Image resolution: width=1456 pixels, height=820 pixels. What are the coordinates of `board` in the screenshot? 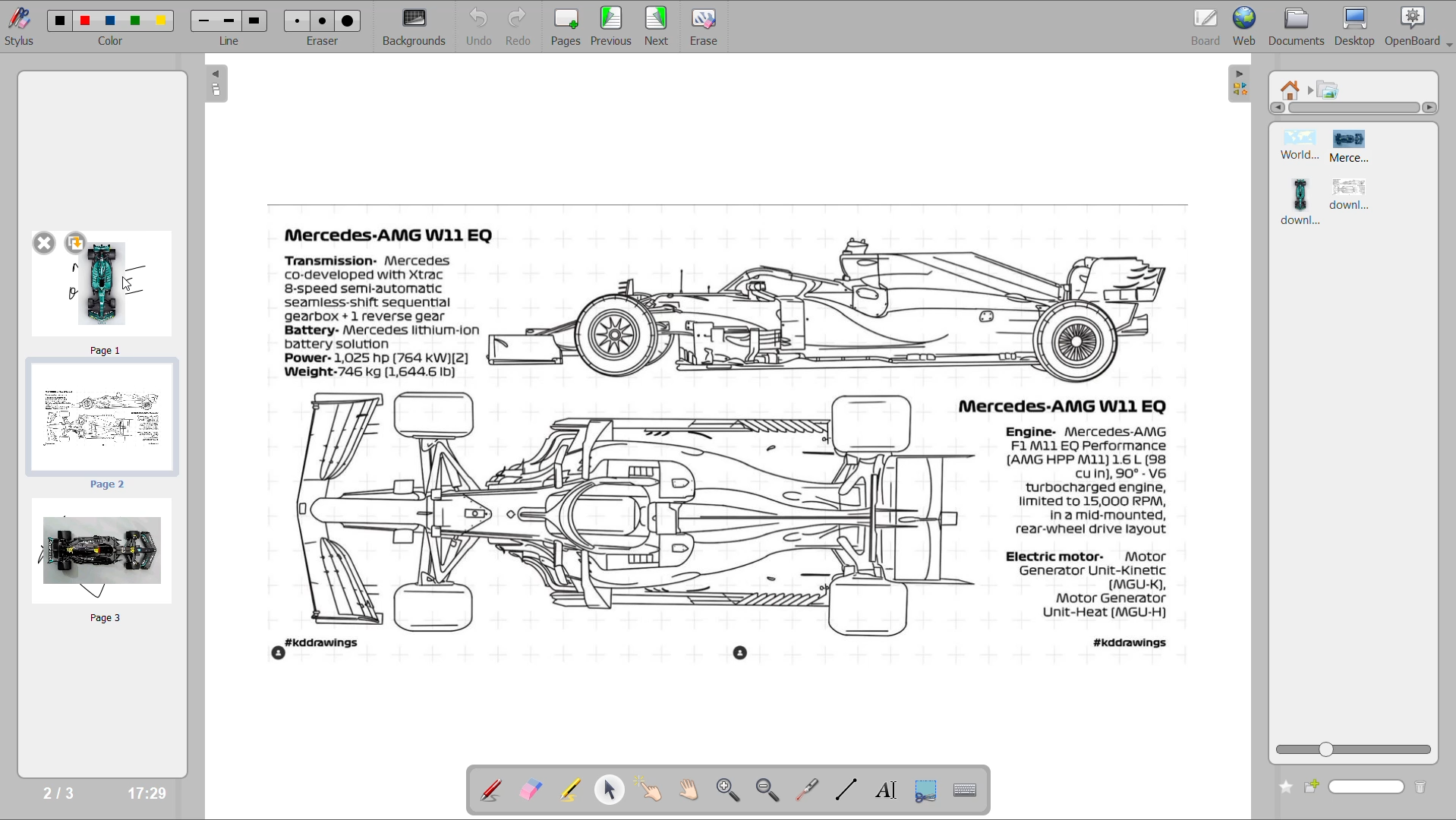 It's located at (1209, 24).